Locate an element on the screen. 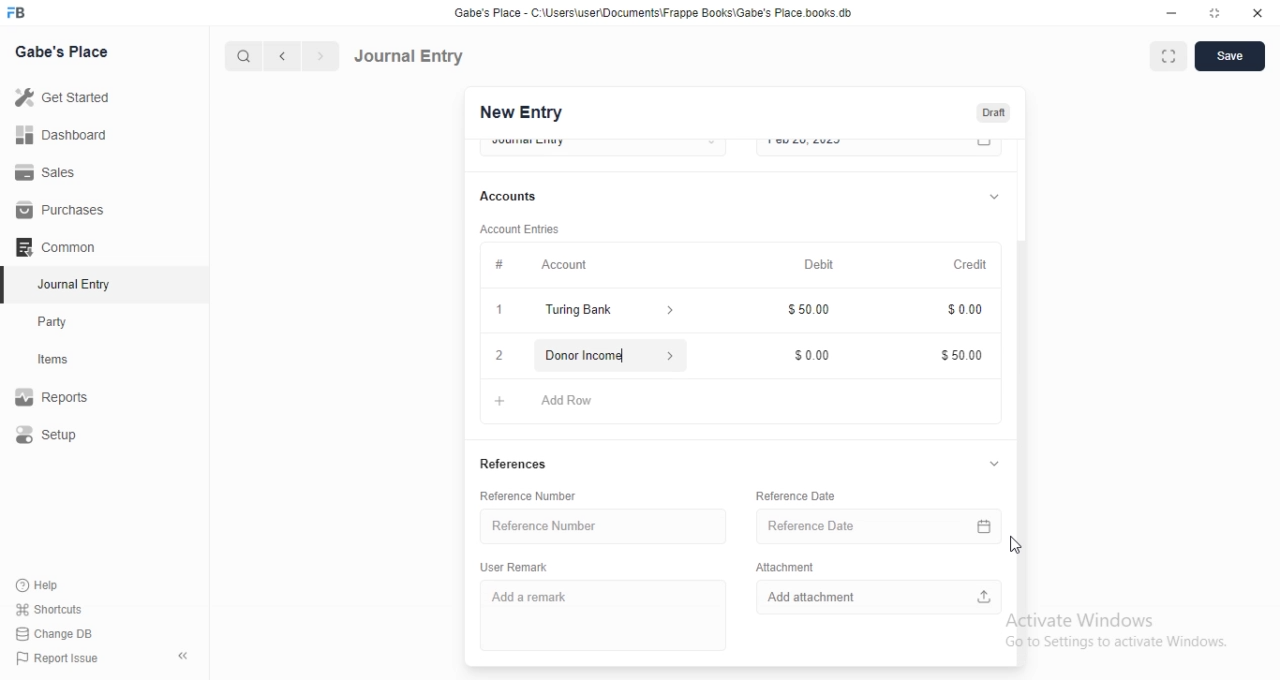 This screenshot has width=1280, height=680. $50.00 is located at coordinates (813, 312).